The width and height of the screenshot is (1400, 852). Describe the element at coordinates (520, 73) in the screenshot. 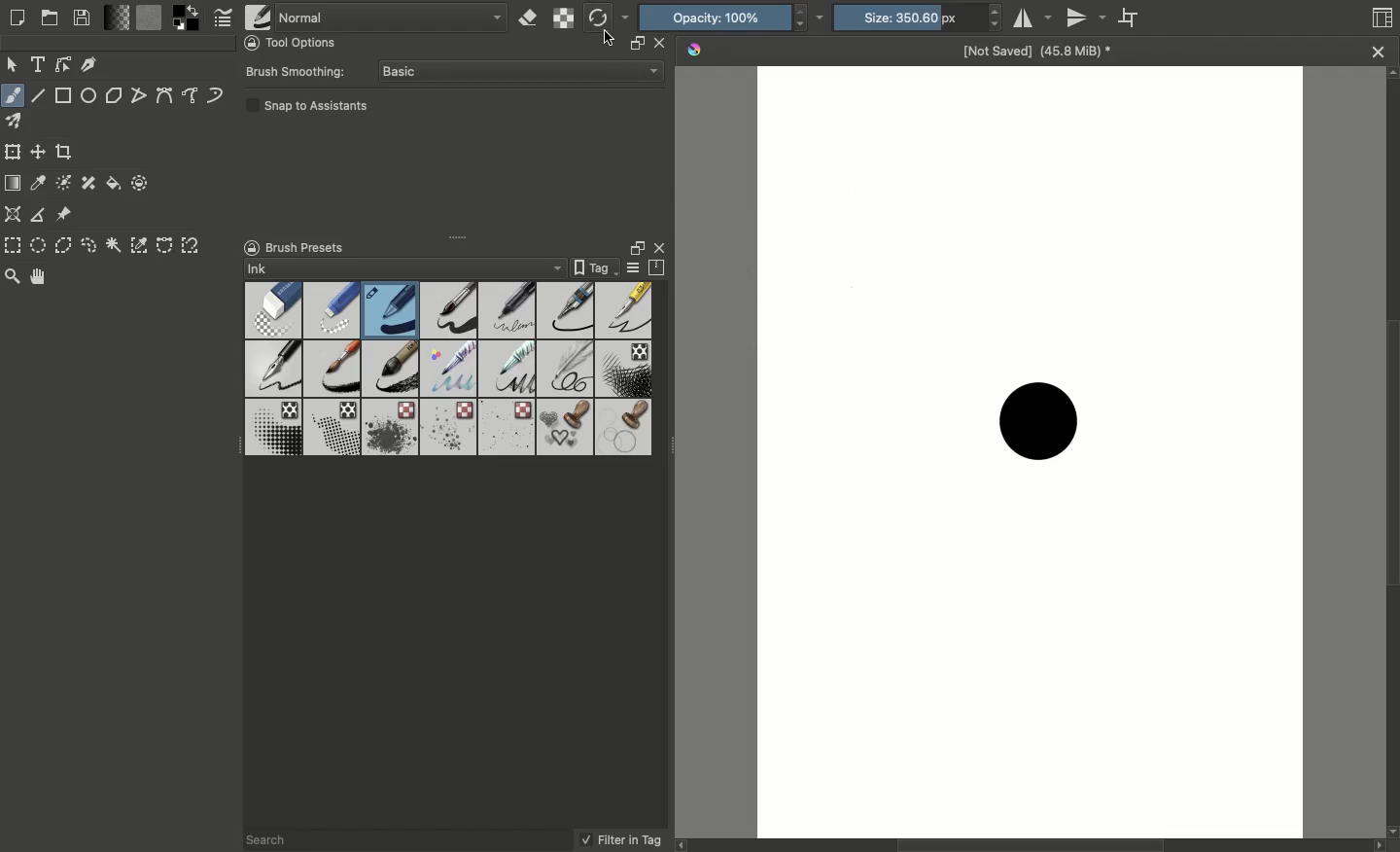

I see `Basic` at that location.